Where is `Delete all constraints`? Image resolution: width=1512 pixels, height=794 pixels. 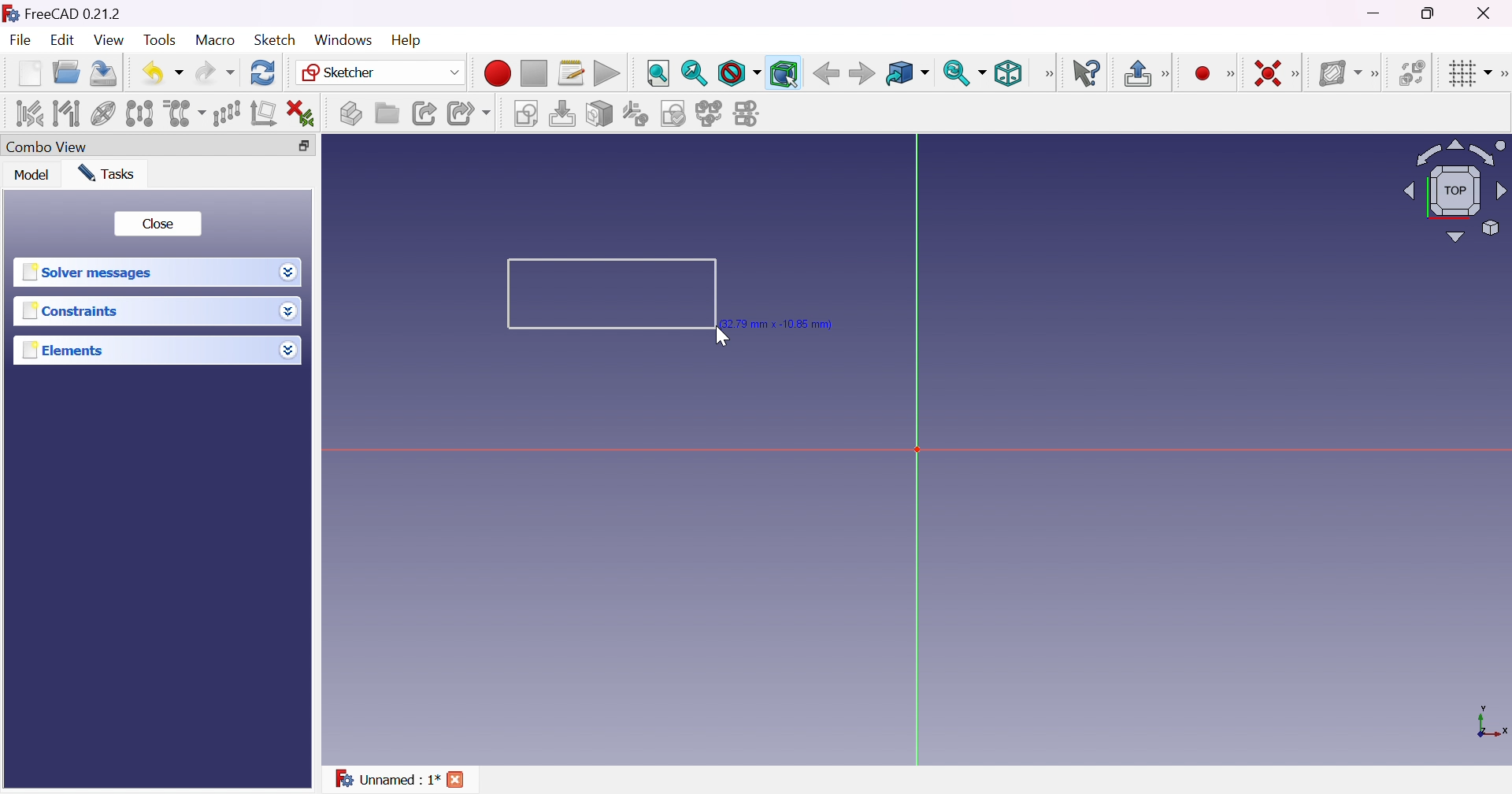
Delete all constraints is located at coordinates (301, 113).